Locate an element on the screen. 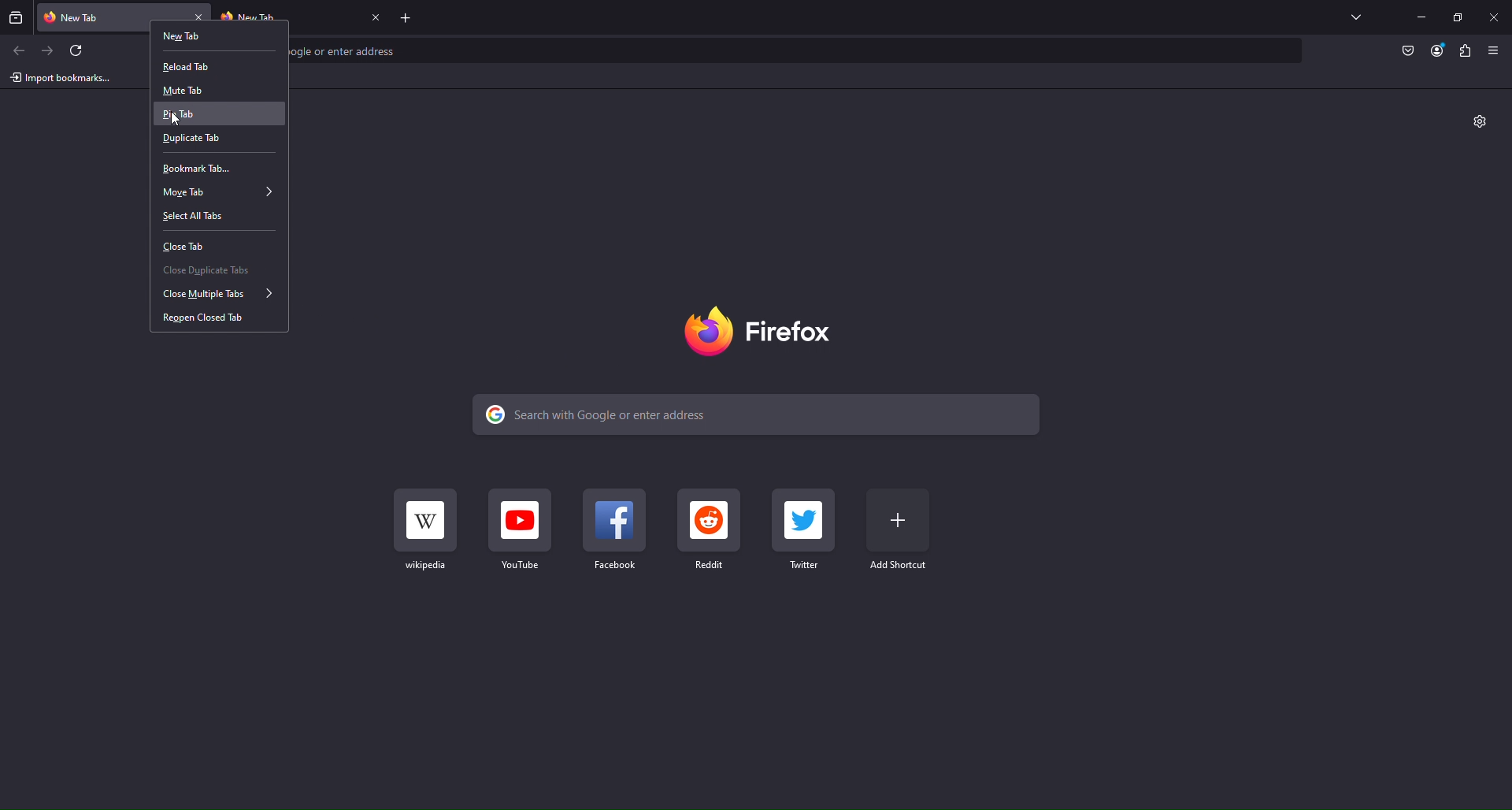  Close Multiple Tabs is located at coordinates (219, 295).